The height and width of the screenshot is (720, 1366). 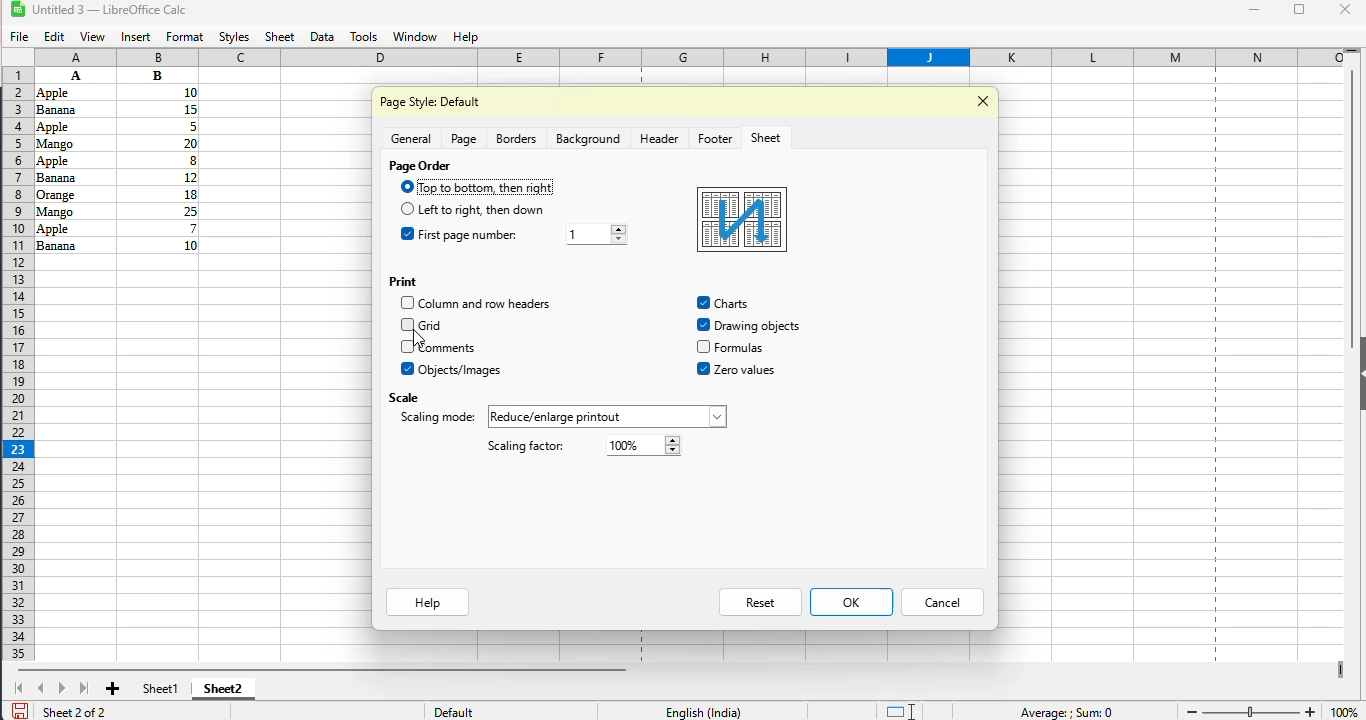 I want to click on , so click(x=158, y=126).